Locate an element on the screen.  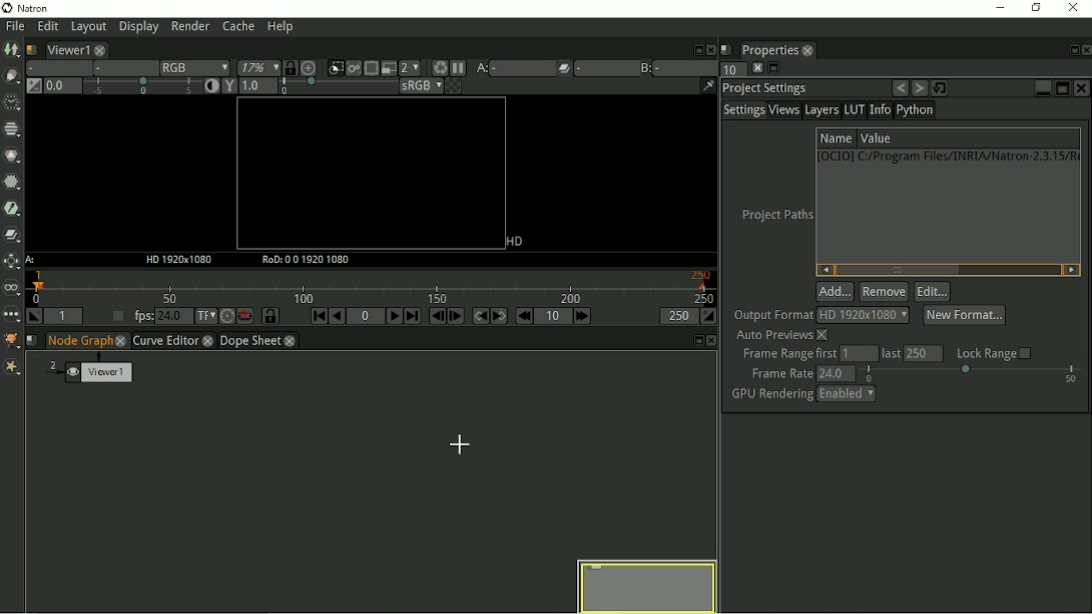
Lock range is located at coordinates (994, 353).